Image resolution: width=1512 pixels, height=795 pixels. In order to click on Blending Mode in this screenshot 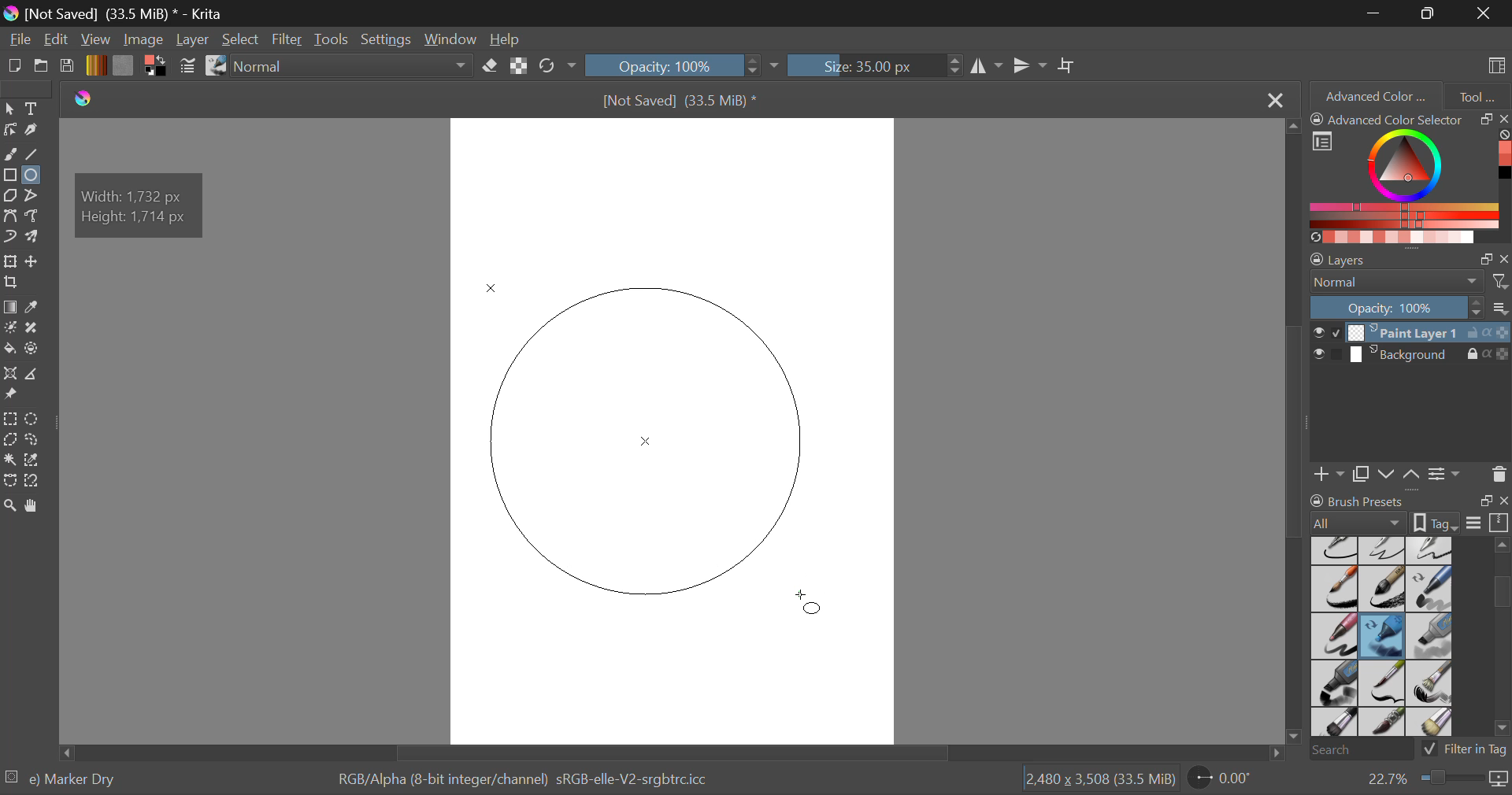, I will do `click(1410, 282)`.